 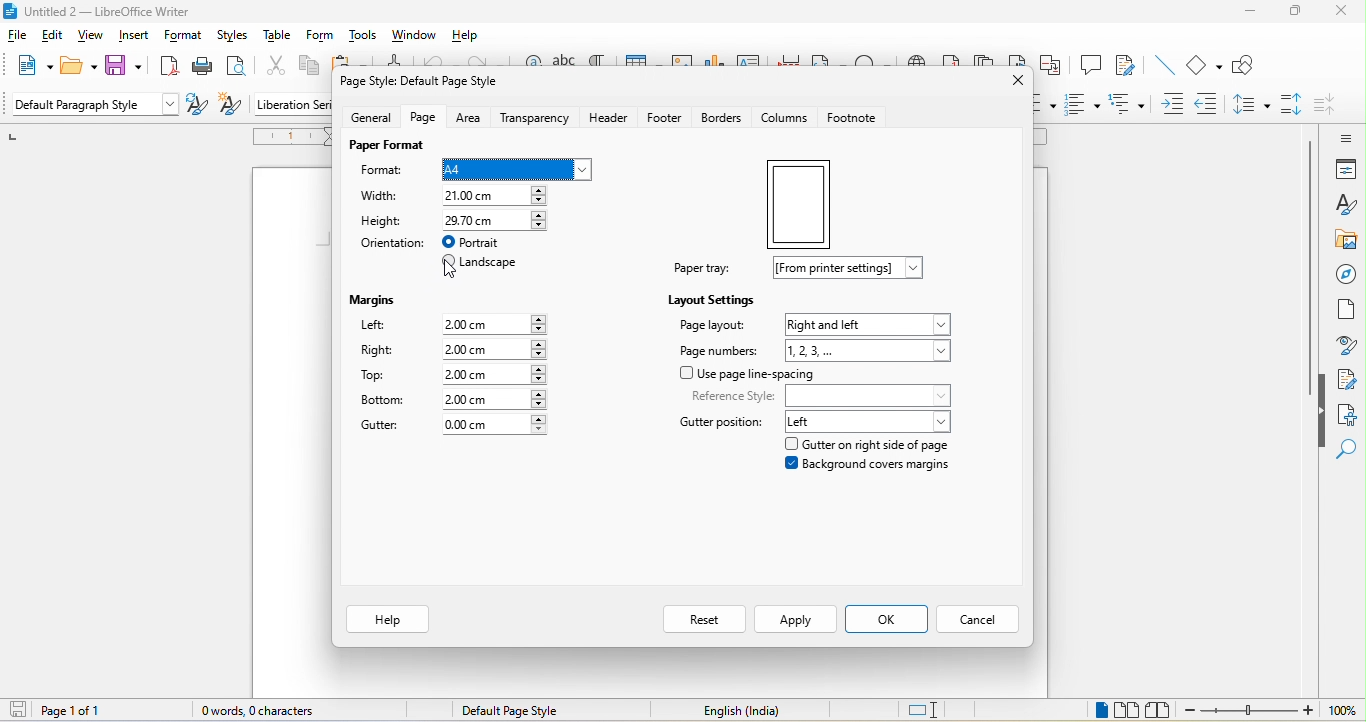 I want to click on window, so click(x=417, y=36).